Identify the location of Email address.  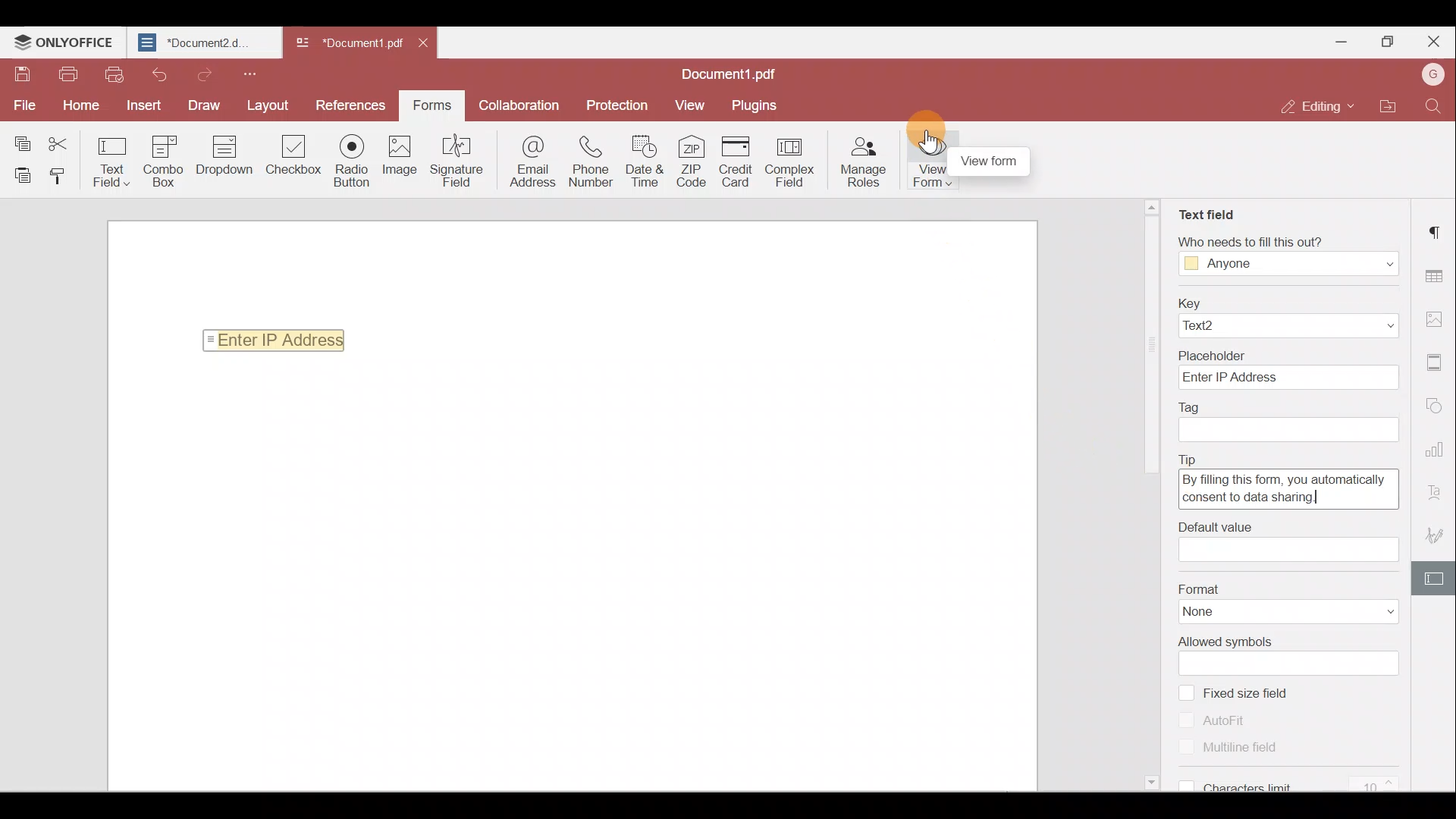
(526, 162).